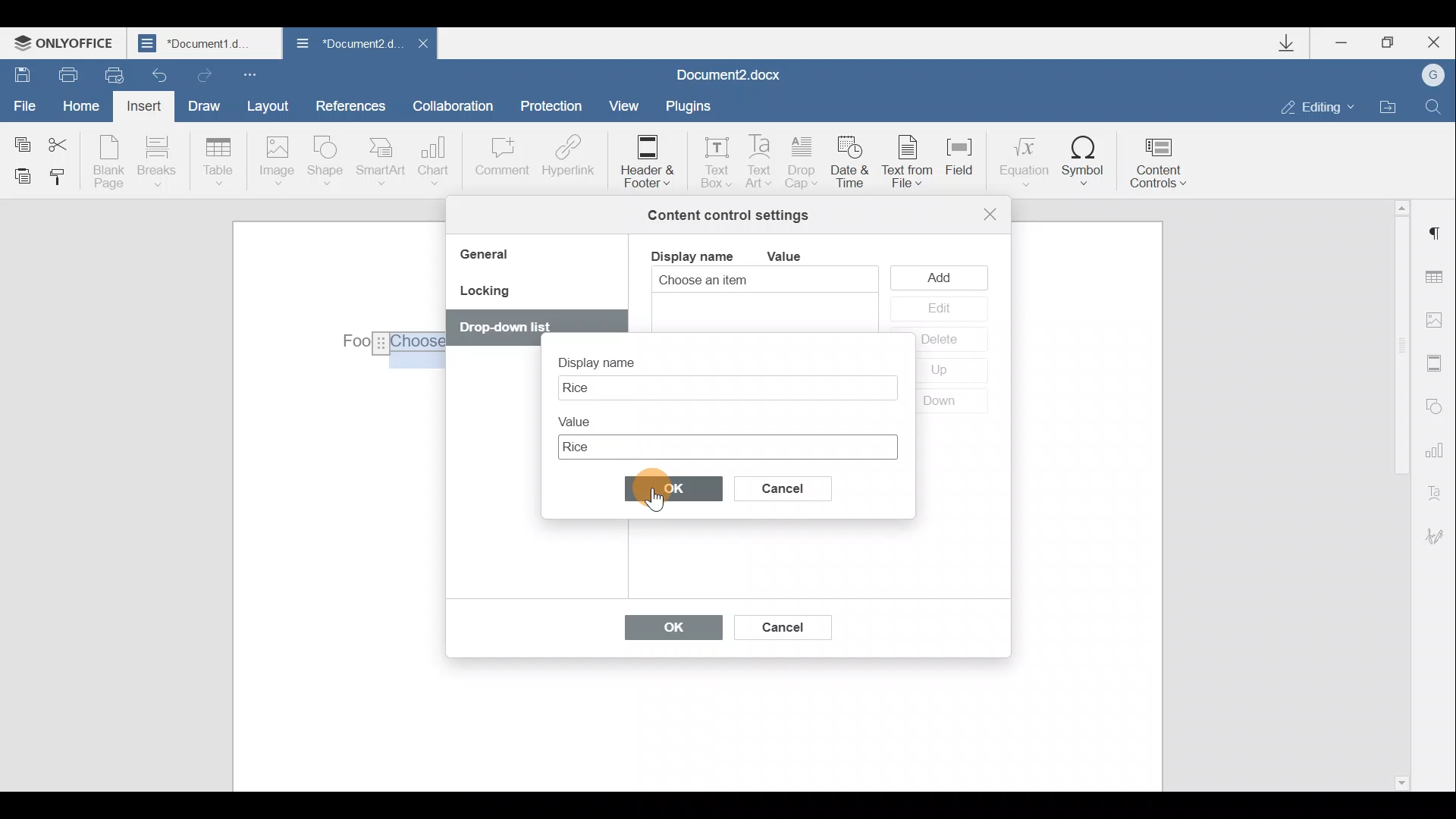 The height and width of the screenshot is (819, 1456). I want to click on Save, so click(17, 73).